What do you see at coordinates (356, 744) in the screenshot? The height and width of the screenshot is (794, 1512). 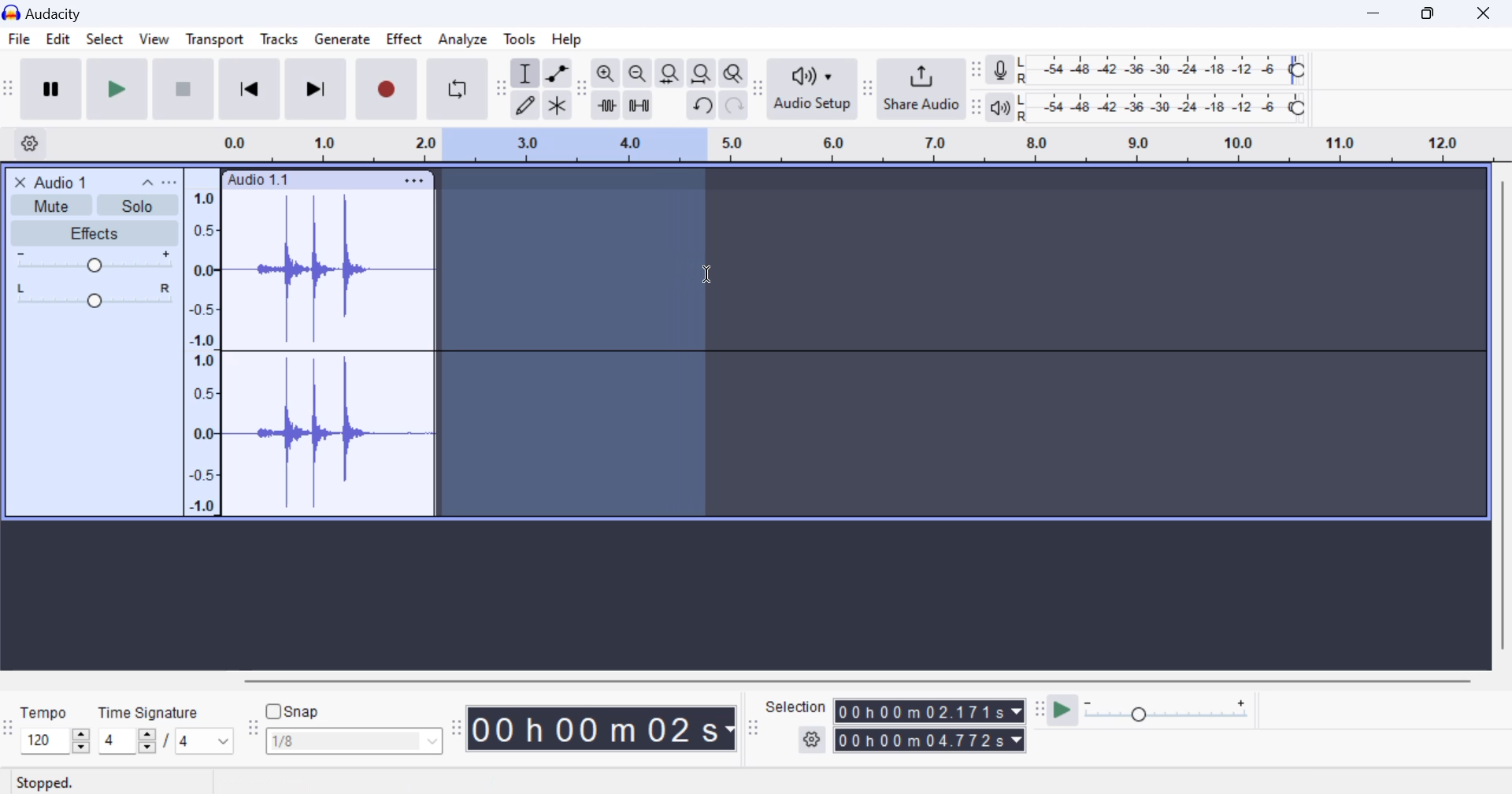 I see `Snap options` at bounding box center [356, 744].